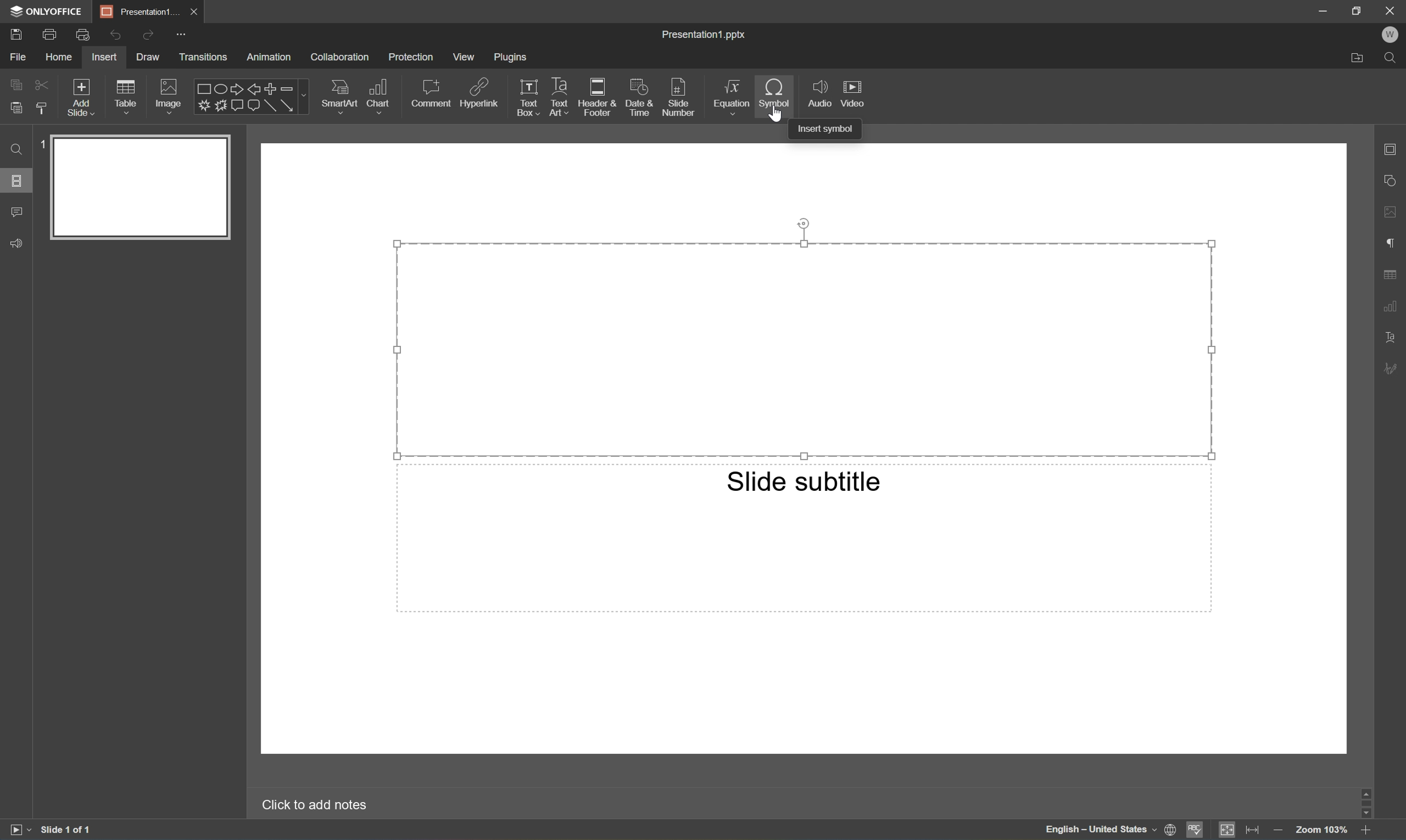  Describe the element at coordinates (1170, 830) in the screenshot. I see `Set document language` at that location.